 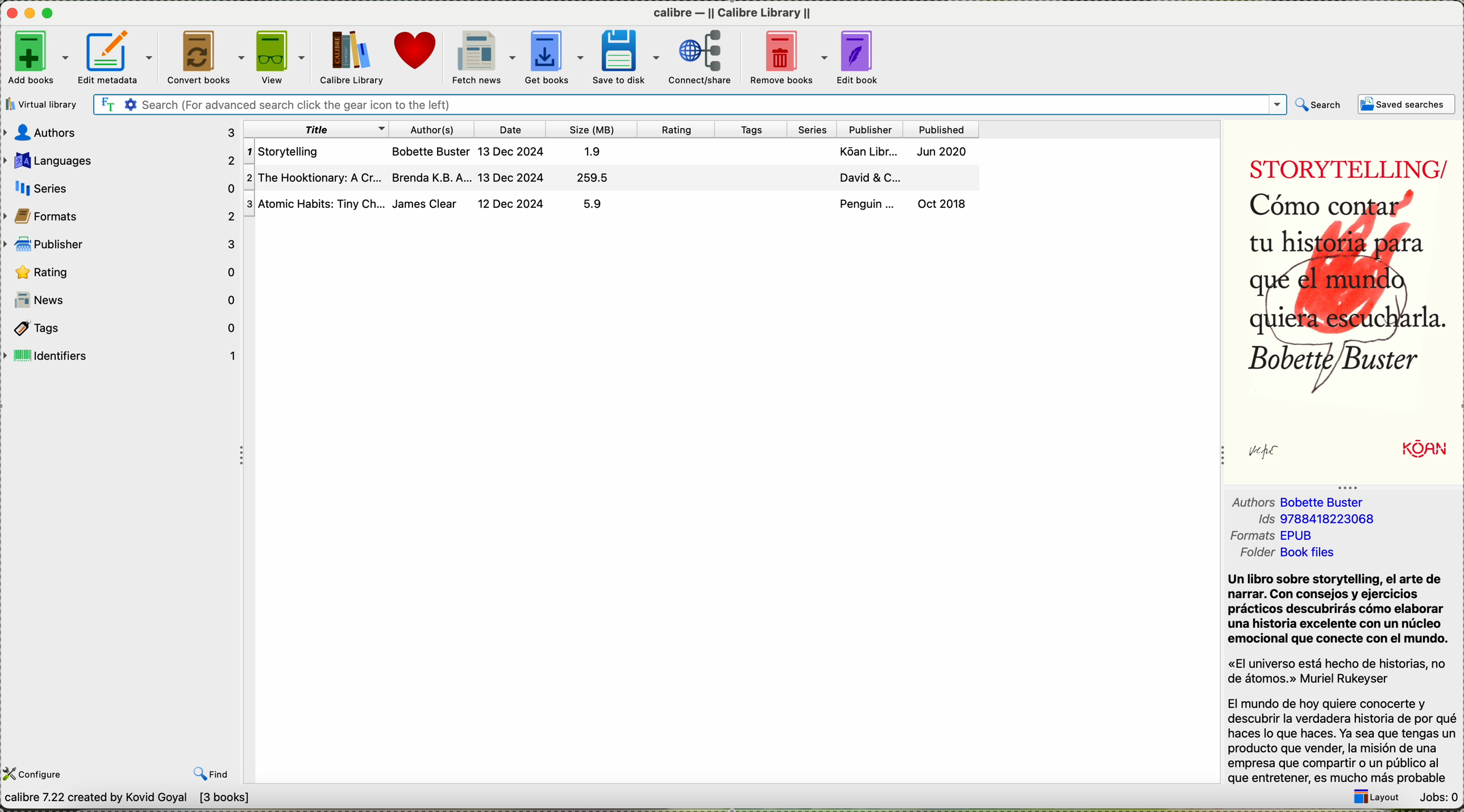 What do you see at coordinates (124, 188) in the screenshot?
I see `series` at bounding box center [124, 188].